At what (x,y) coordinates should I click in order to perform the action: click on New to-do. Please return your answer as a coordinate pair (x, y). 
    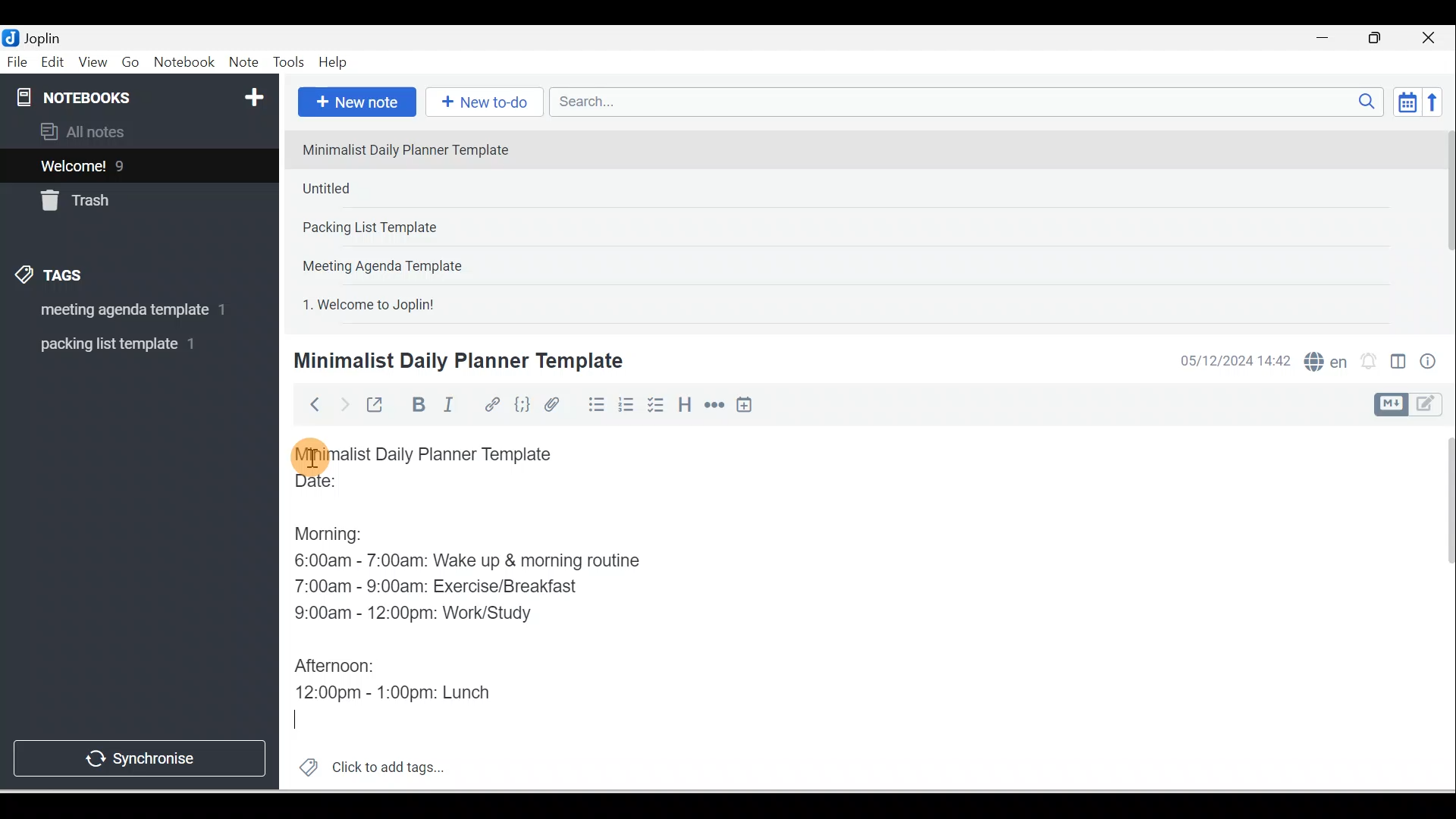
    Looking at the image, I should click on (481, 103).